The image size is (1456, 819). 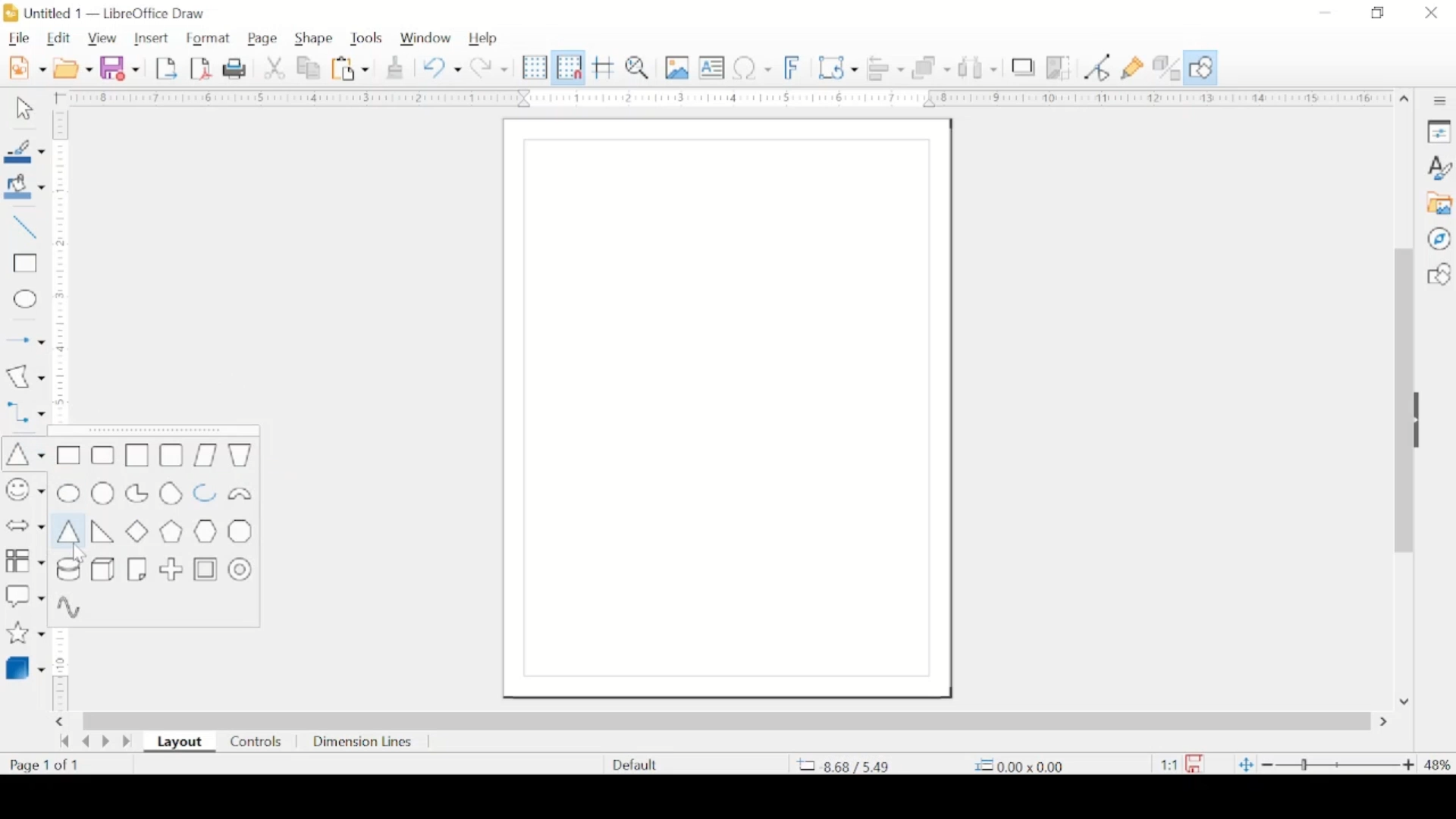 I want to click on clone formatting, so click(x=395, y=67).